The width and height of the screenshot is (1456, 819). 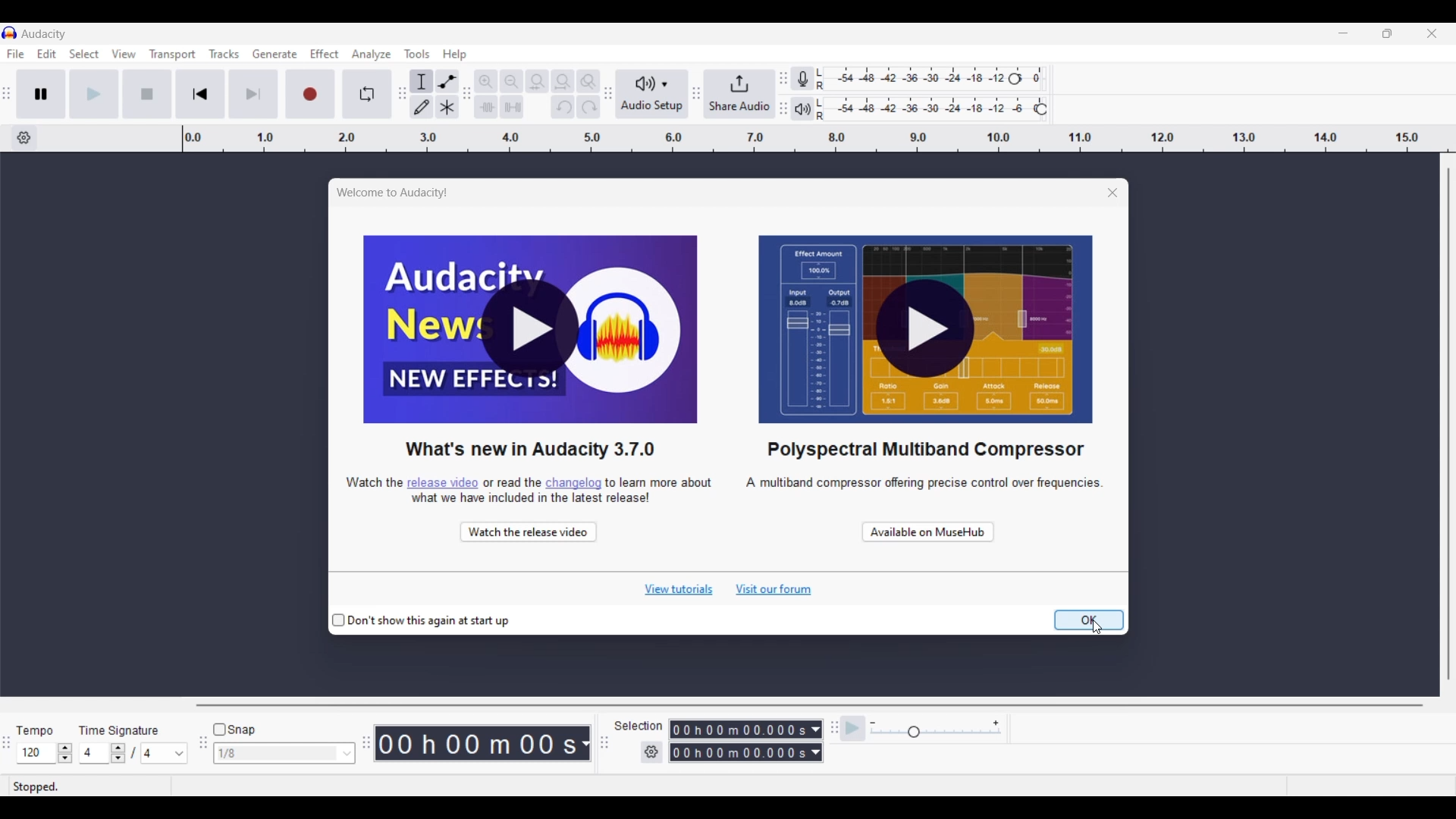 I want to click on Click to play video, so click(x=926, y=330).